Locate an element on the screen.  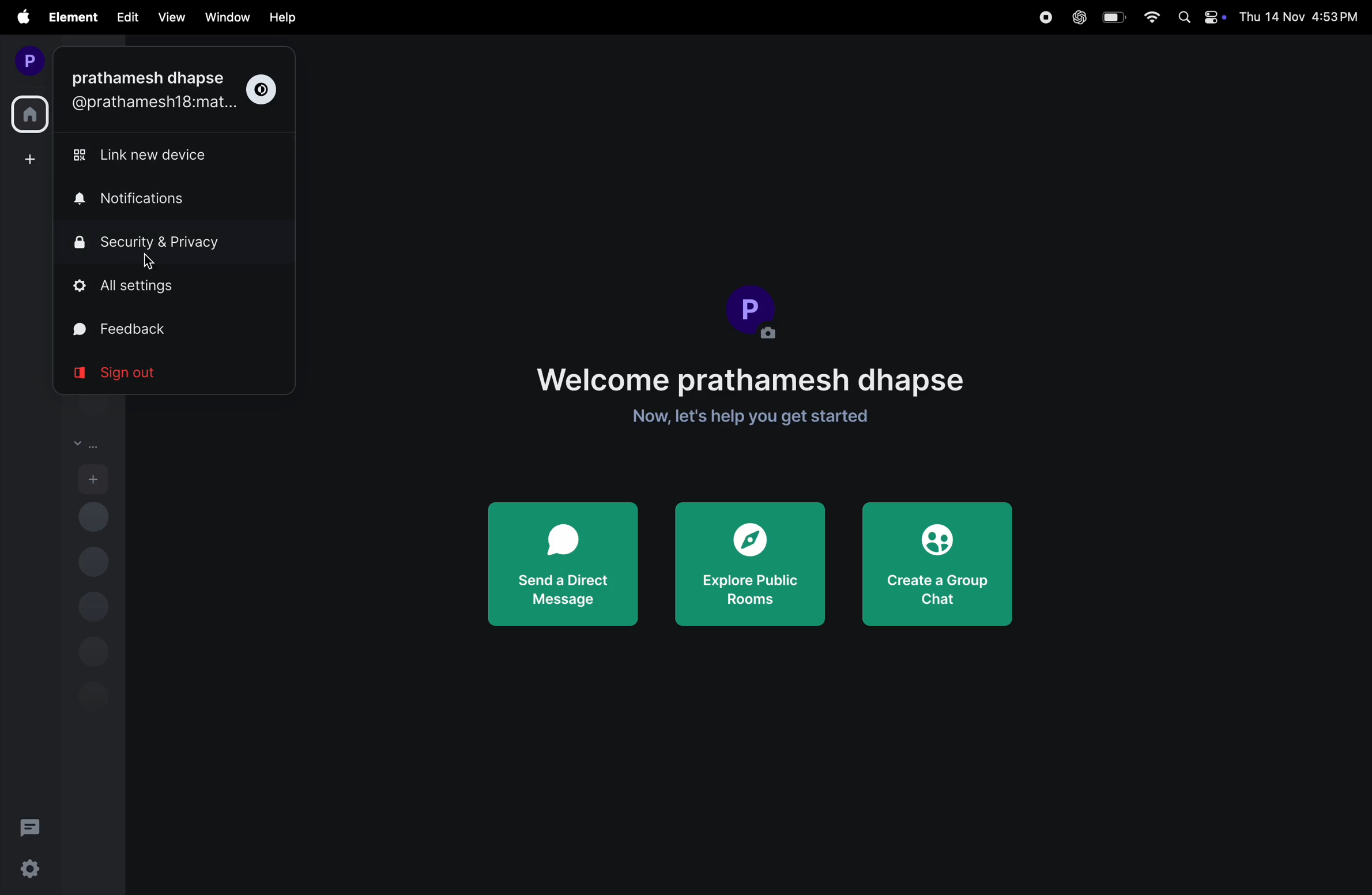
add room is located at coordinates (93, 481).